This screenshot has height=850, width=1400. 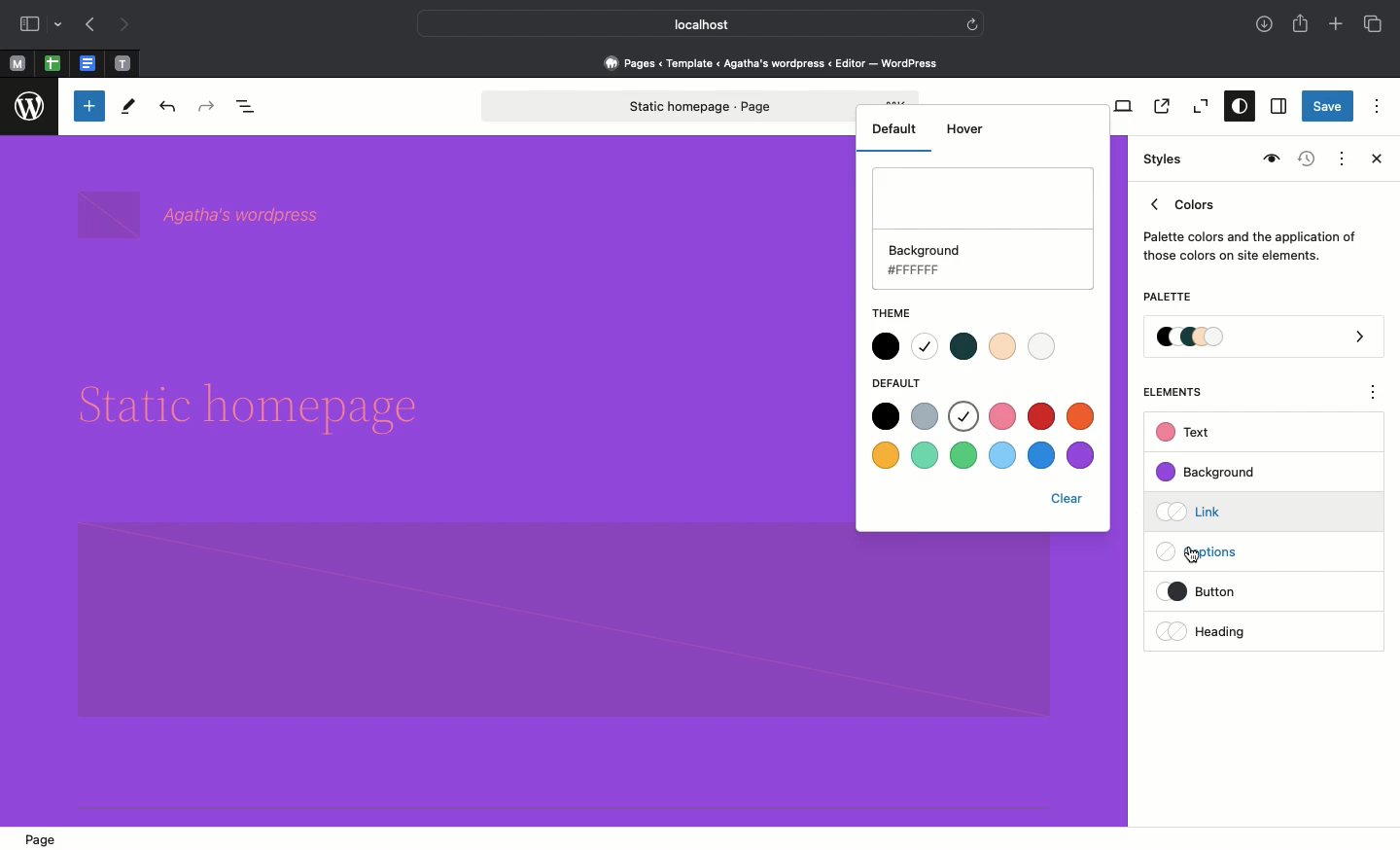 What do you see at coordinates (1215, 473) in the screenshot?
I see `Background` at bounding box center [1215, 473].